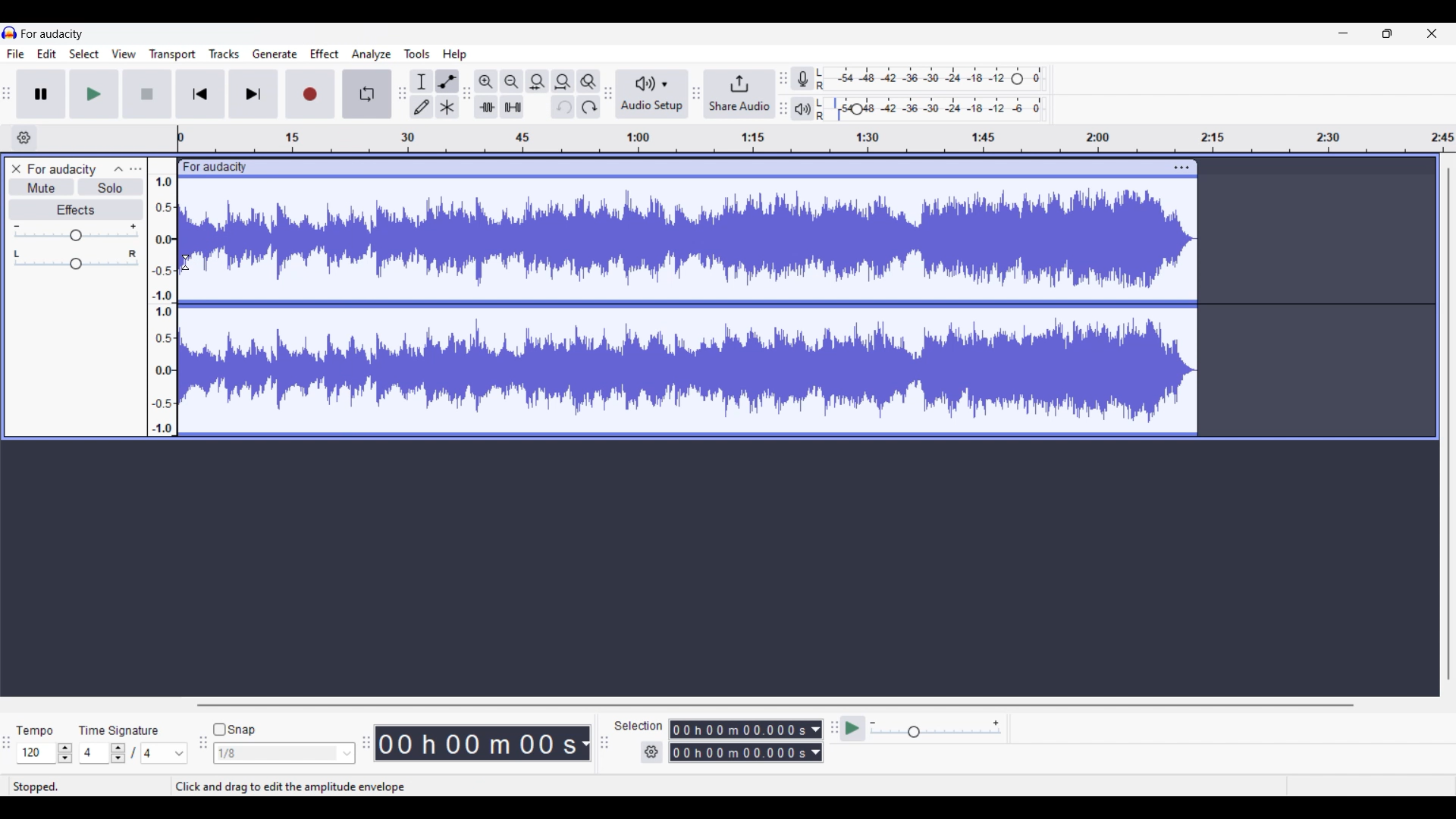 The height and width of the screenshot is (819, 1456). What do you see at coordinates (930, 108) in the screenshot?
I see `Playback level` at bounding box center [930, 108].